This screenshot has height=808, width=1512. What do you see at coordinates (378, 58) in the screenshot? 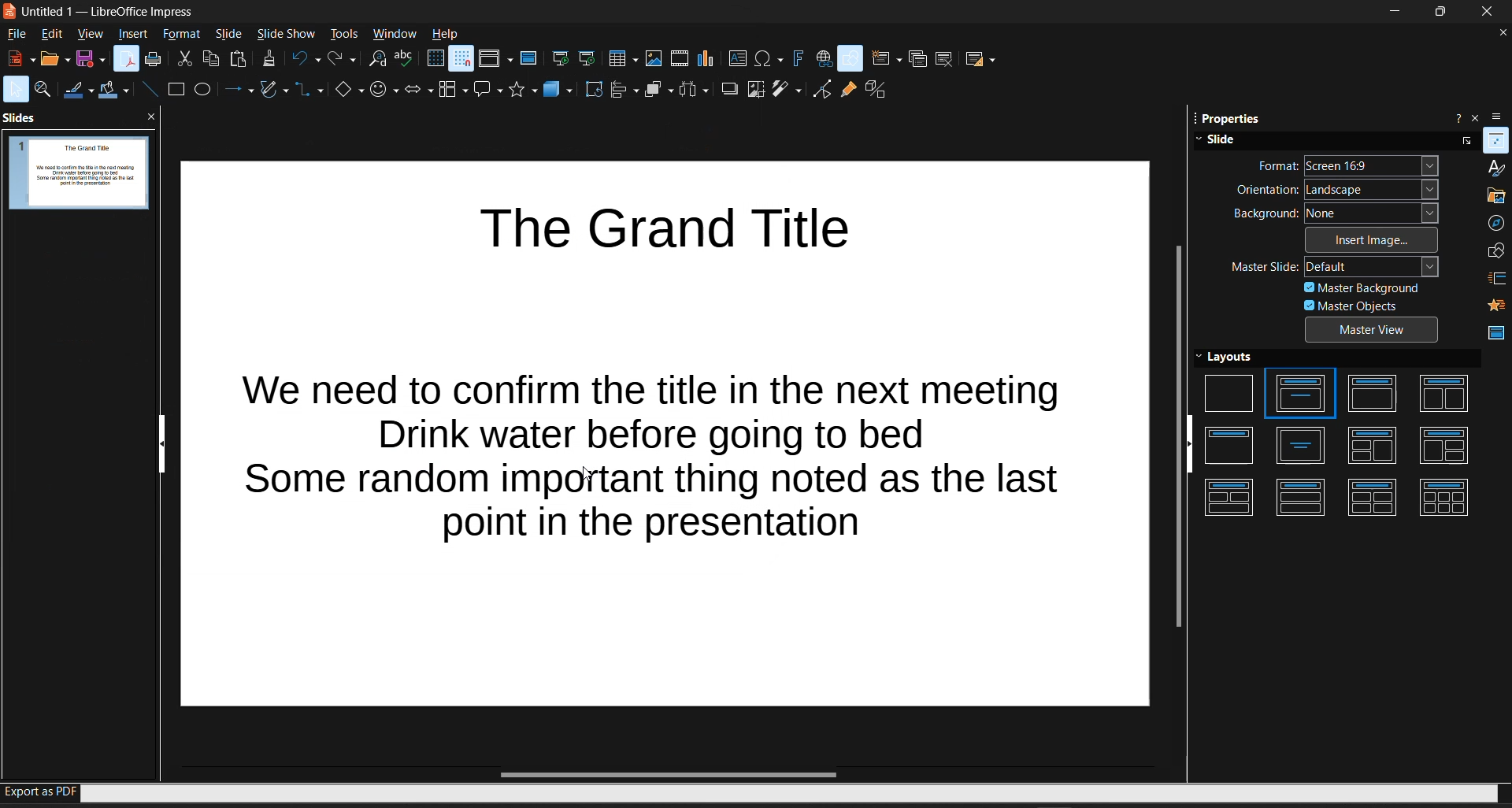
I see `find and replace` at bounding box center [378, 58].